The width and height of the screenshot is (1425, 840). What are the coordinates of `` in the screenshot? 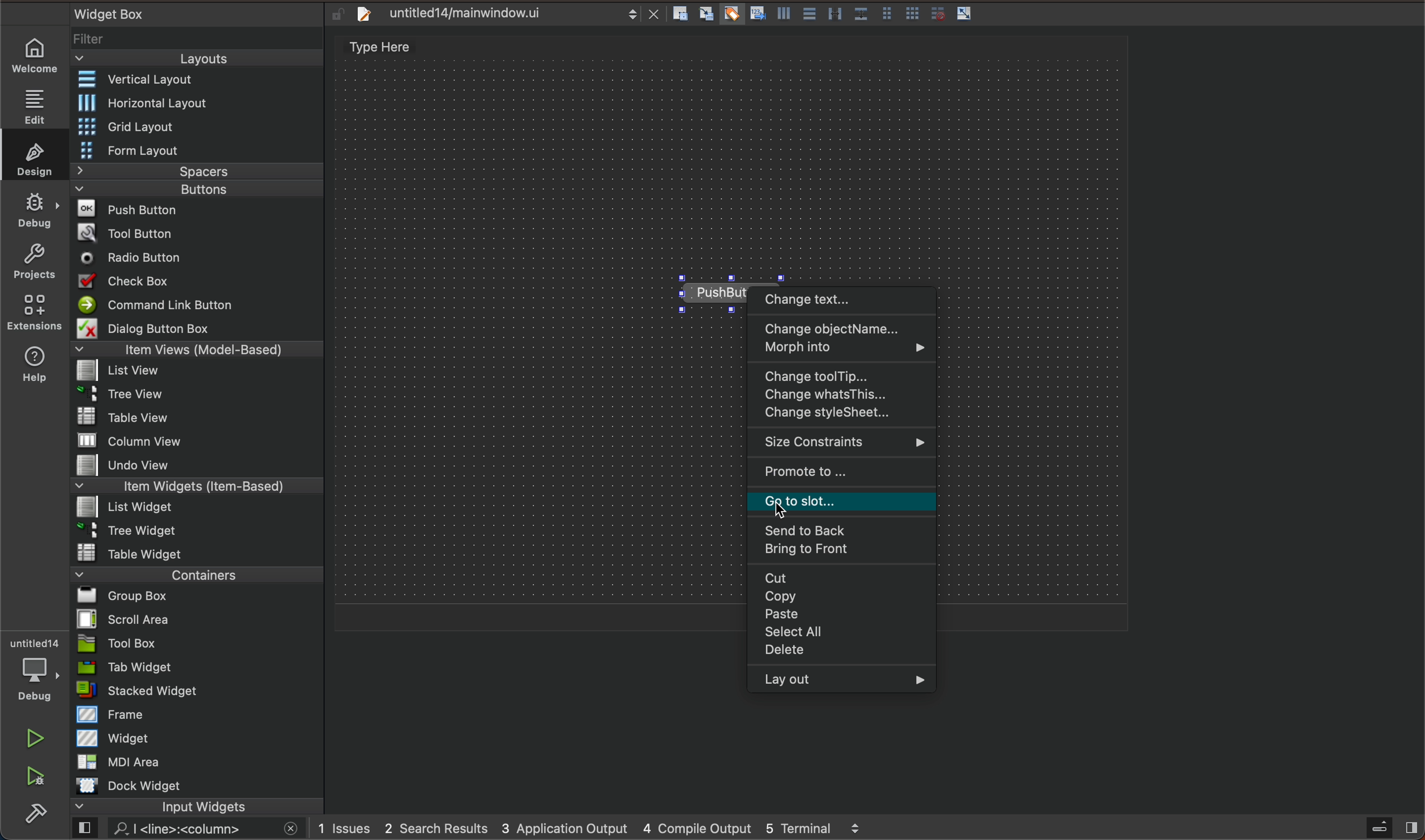 It's located at (678, 13).